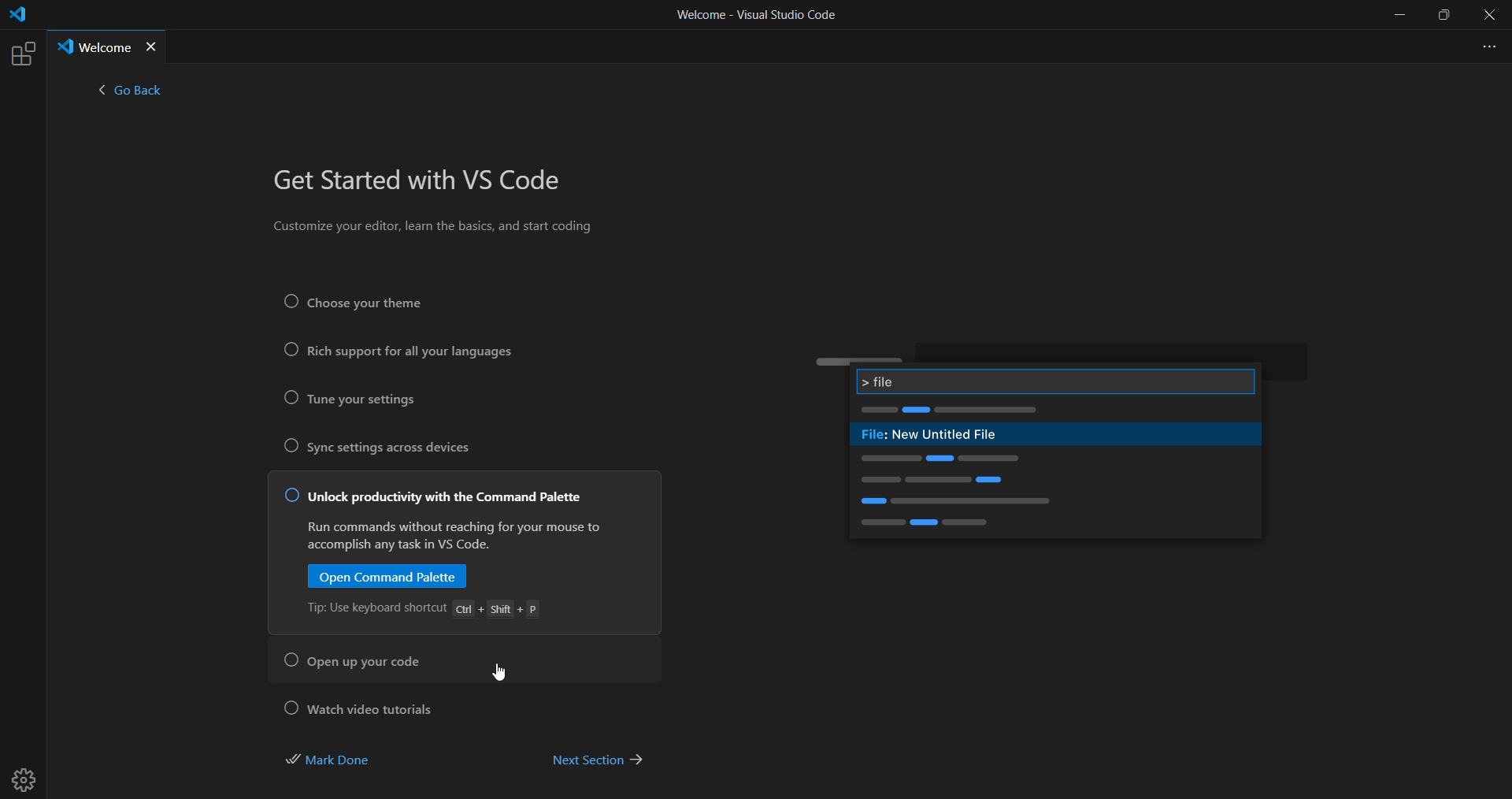 Image resolution: width=1512 pixels, height=799 pixels. Describe the element at coordinates (130, 94) in the screenshot. I see `< go back` at that location.